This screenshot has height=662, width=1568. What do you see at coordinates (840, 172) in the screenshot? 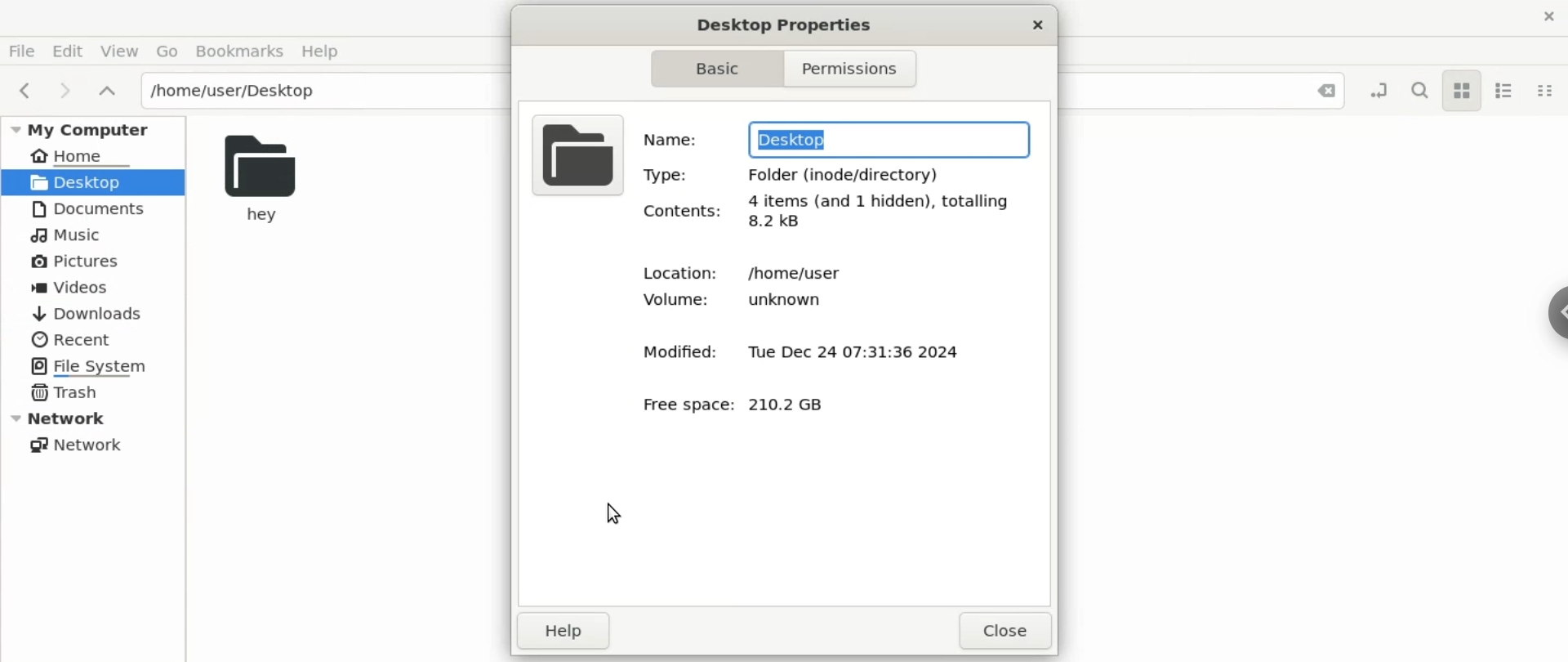
I see `folder (inode/directory)` at bounding box center [840, 172].